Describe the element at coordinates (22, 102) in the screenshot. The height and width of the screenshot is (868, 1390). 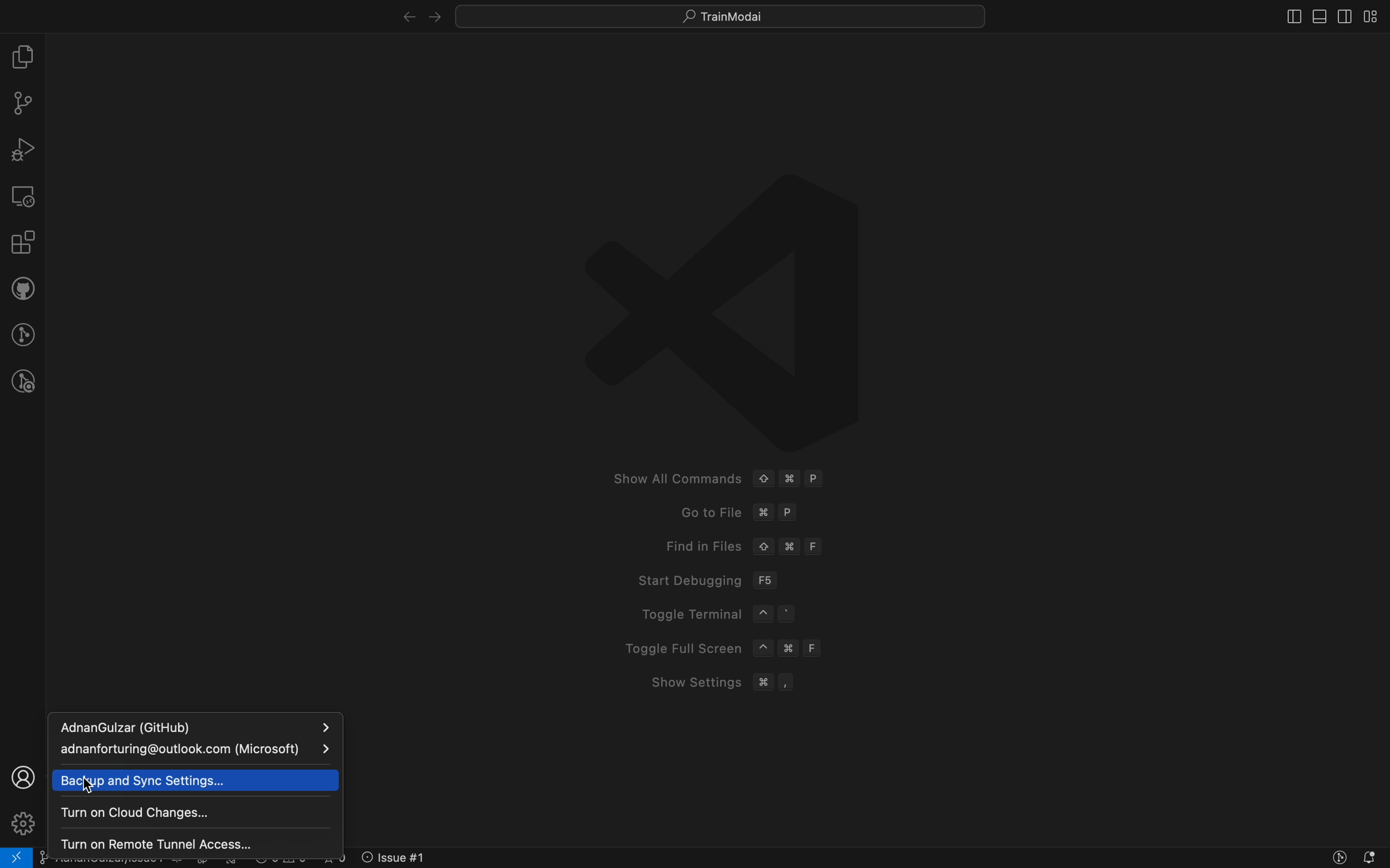
I see `git` at that location.